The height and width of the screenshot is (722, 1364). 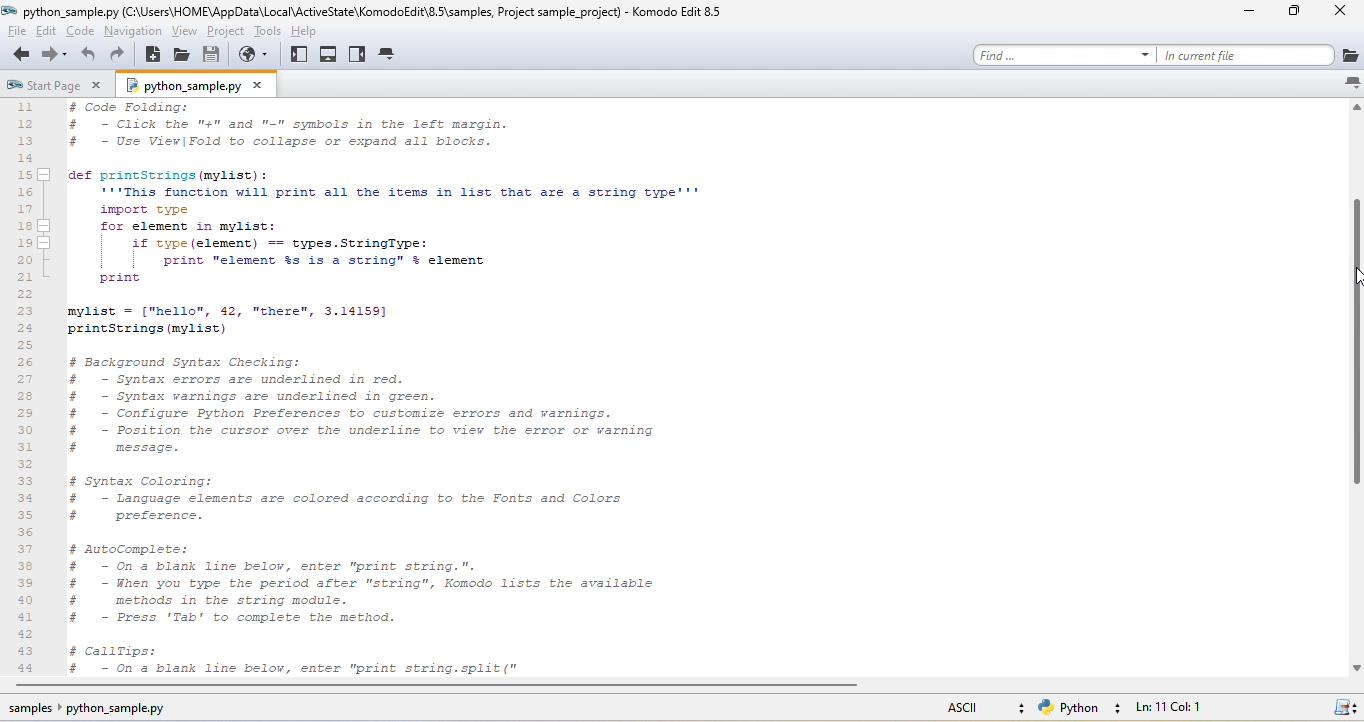 I want to click on code, so click(x=82, y=31).